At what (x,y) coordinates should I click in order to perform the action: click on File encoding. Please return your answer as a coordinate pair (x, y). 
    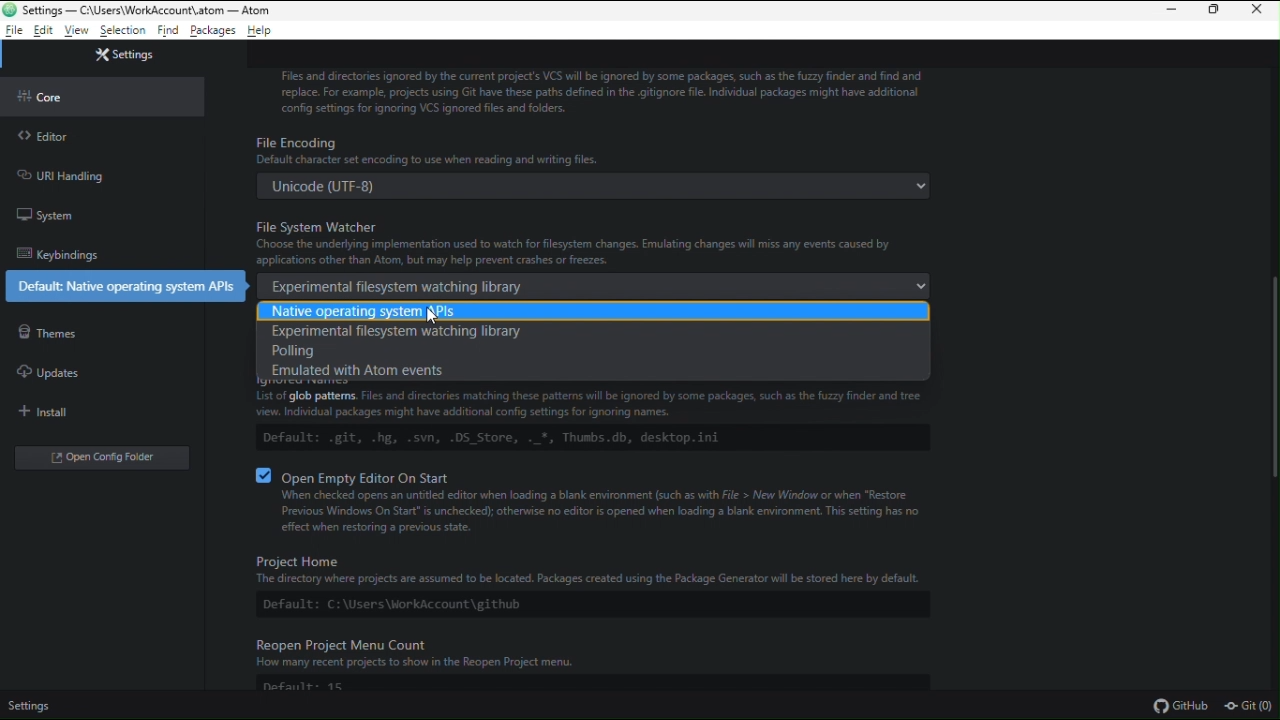
    Looking at the image, I should click on (592, 166).